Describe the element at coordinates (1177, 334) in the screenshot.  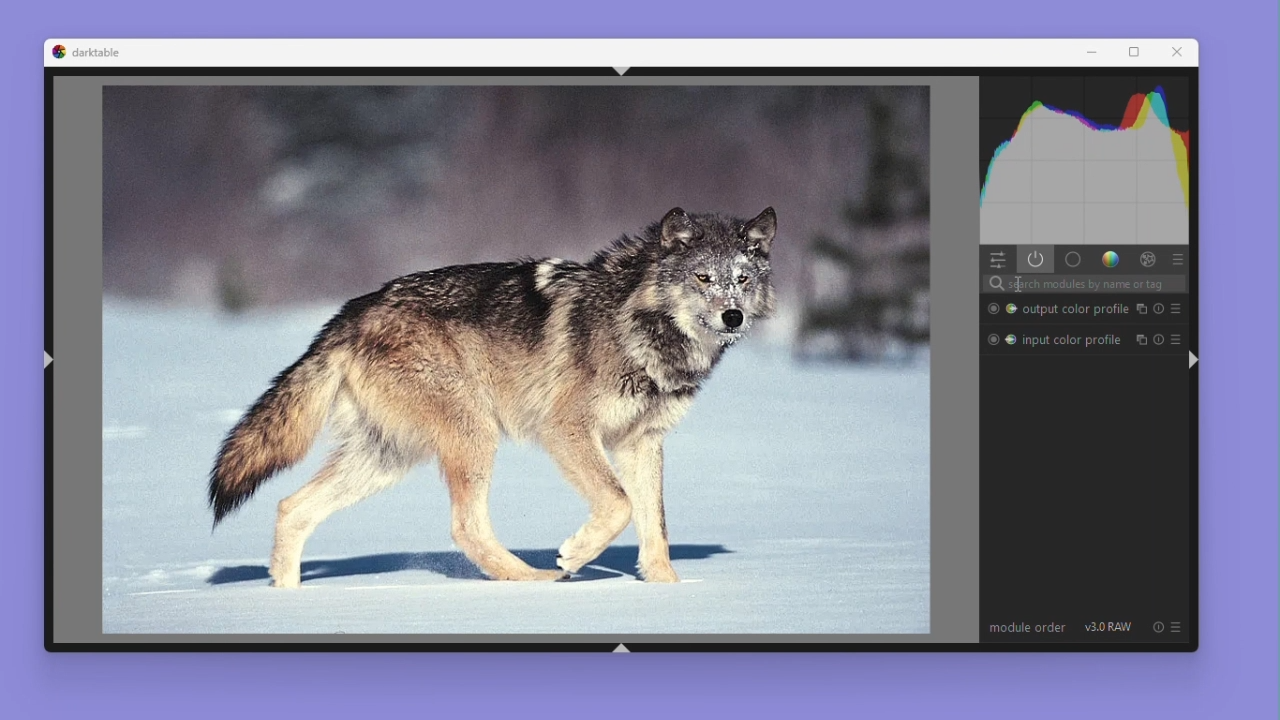
I see `preset ` at that location.